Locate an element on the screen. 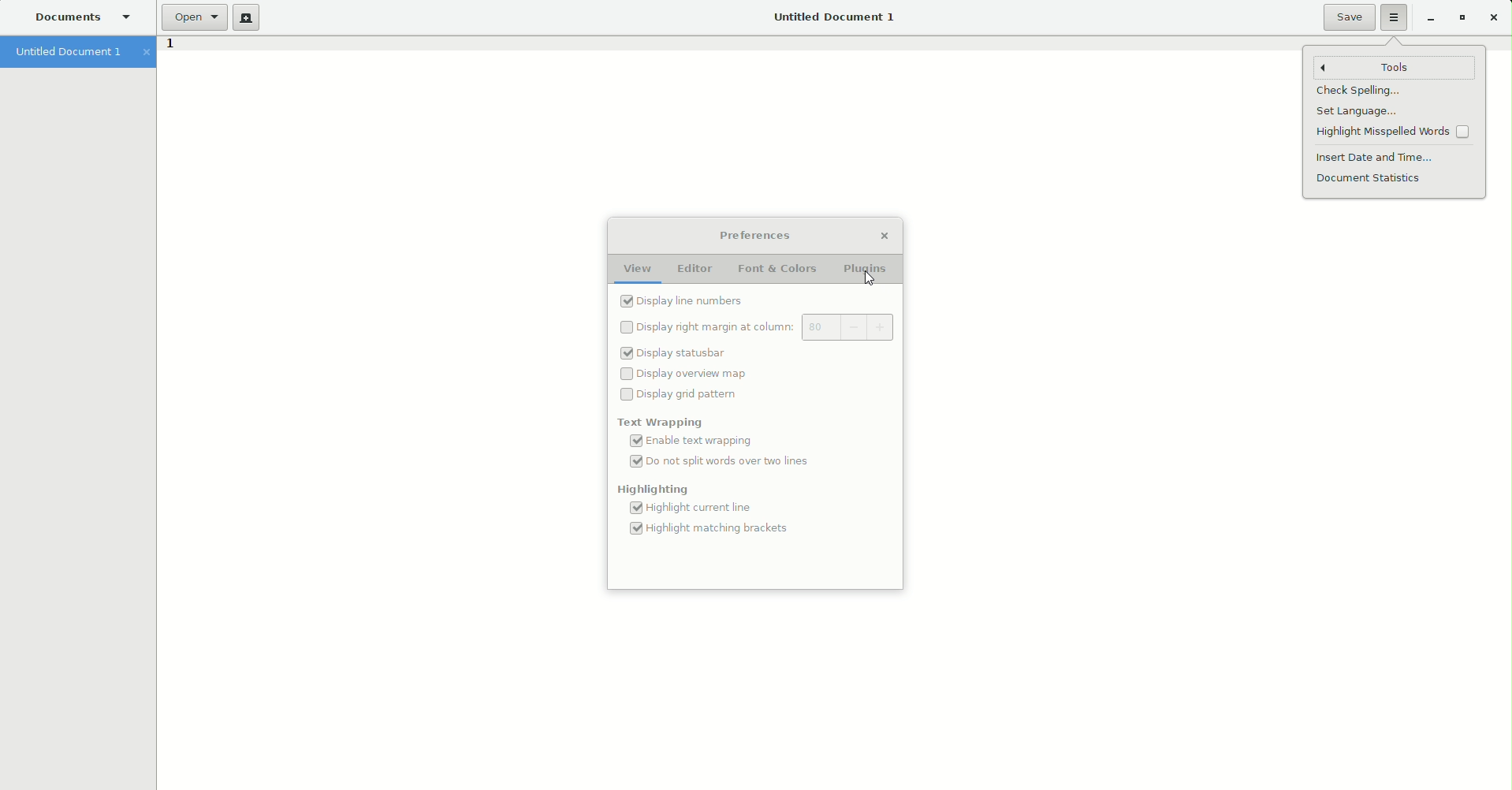 The width and height of the screenshot is (1512, 790). Plugins is located at coordinates (868, 270).